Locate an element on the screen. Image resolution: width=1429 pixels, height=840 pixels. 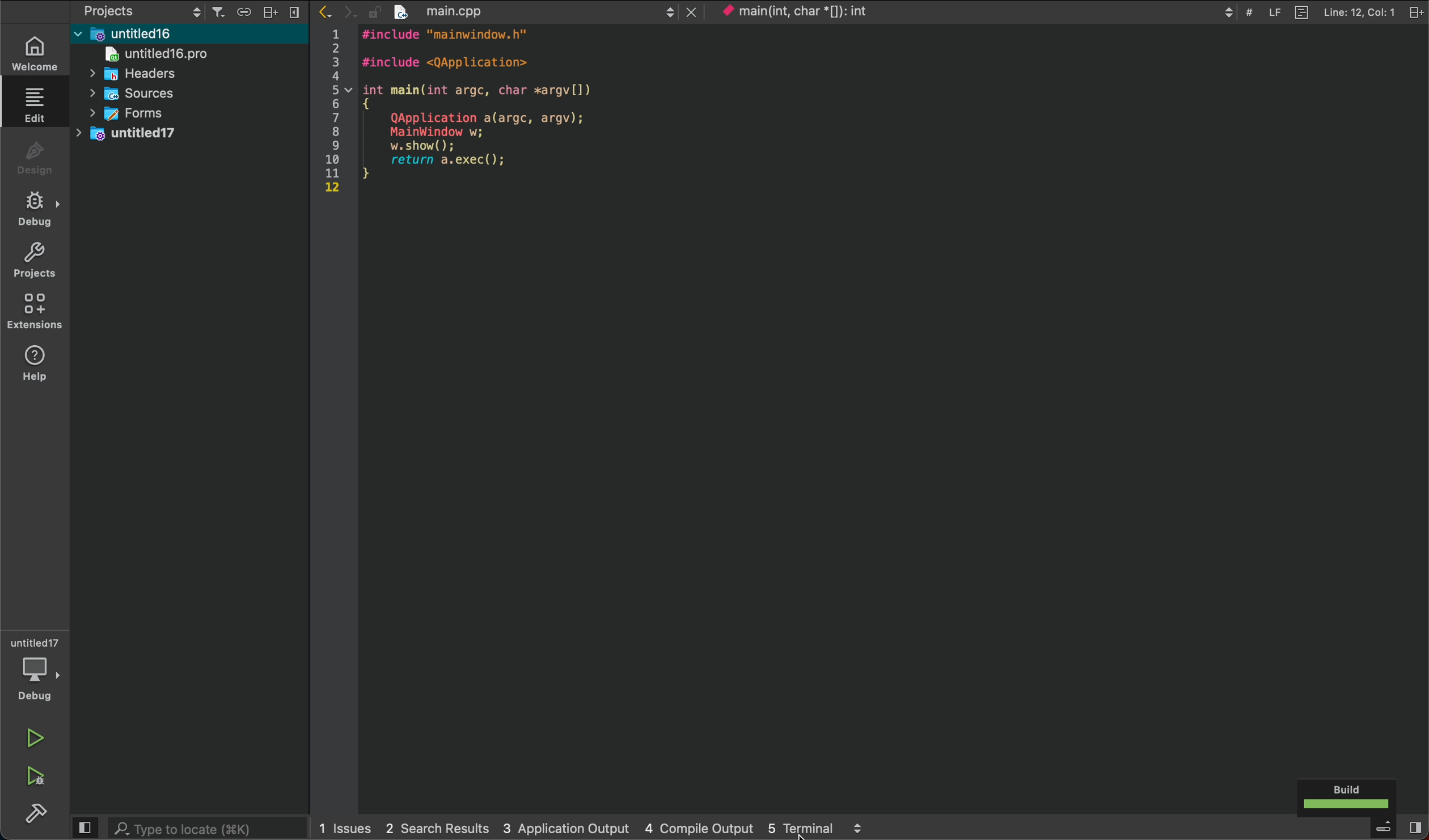
forms is located at coordinates (136, 112).